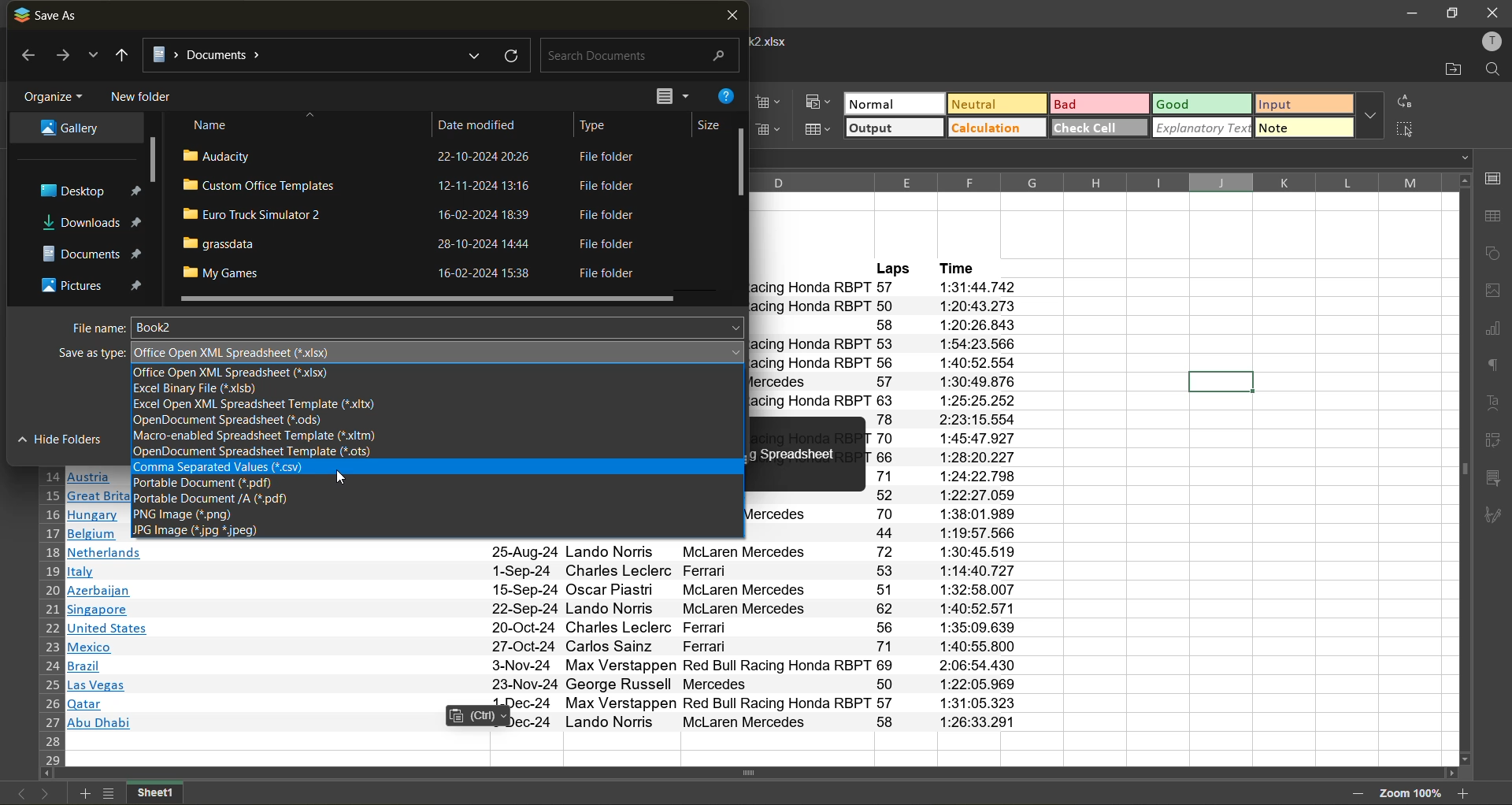 The width and height of the screenshot is (1512, 805). What do you see at coordinates (1221, 380) in the screenshot?
I see `current cell` at bounding box center [1221, 380].